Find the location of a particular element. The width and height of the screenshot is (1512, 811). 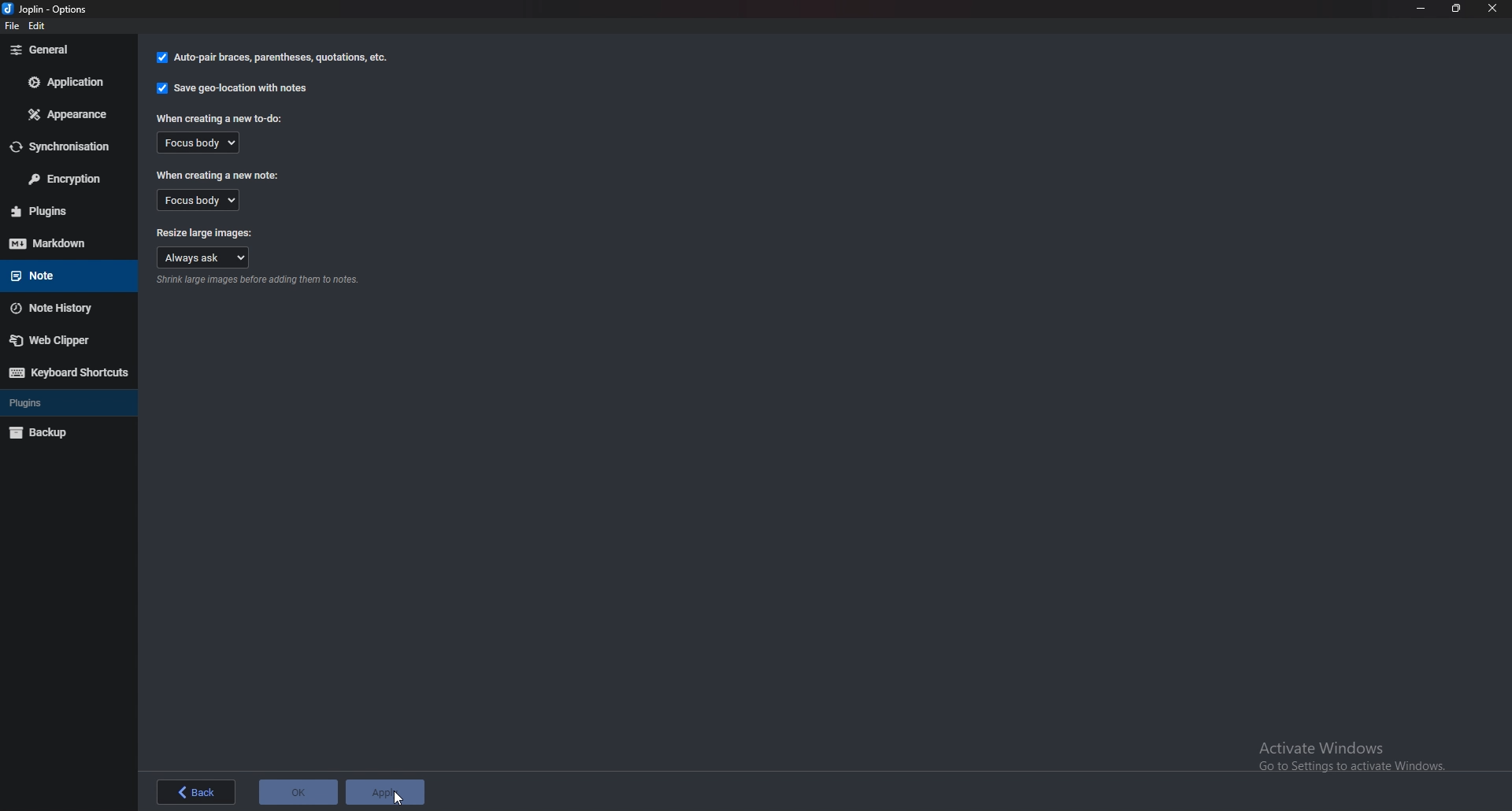

Keyboard shortcuts is located at coordinates (69, 372).